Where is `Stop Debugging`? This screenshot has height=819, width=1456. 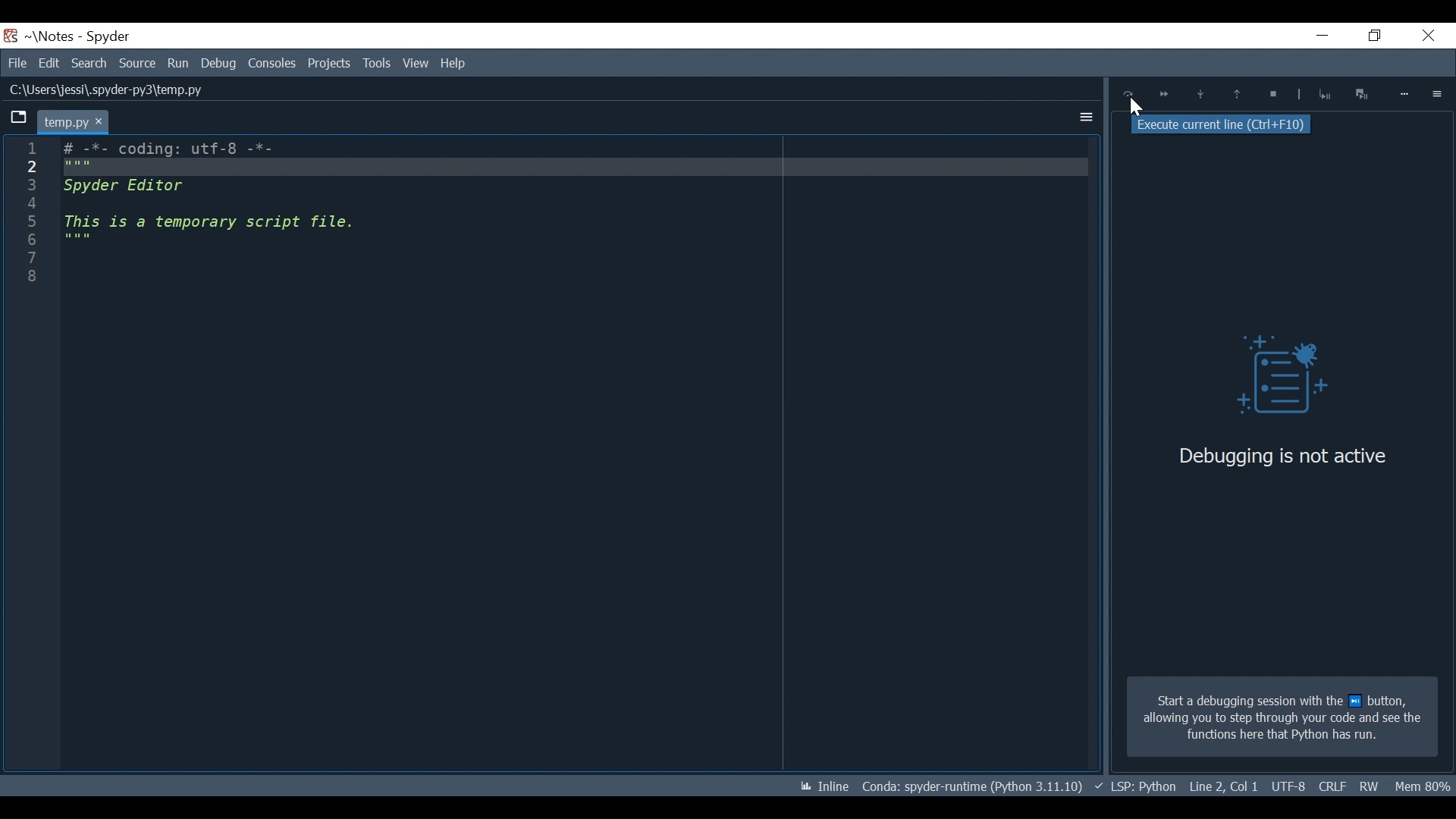
Stop Debugging is located at coordinates (1270, 96).